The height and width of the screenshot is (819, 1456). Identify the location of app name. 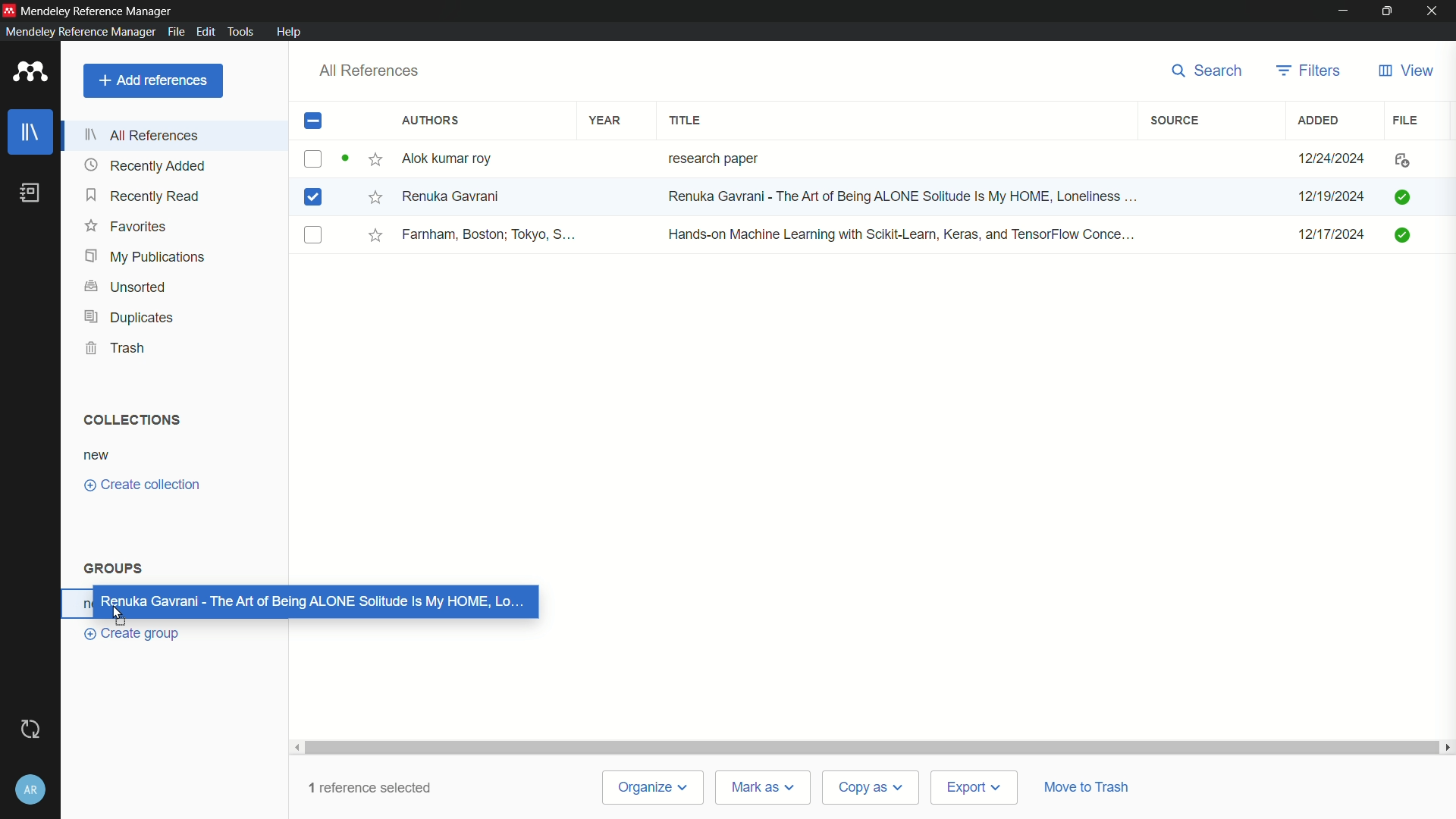
(77, 32).